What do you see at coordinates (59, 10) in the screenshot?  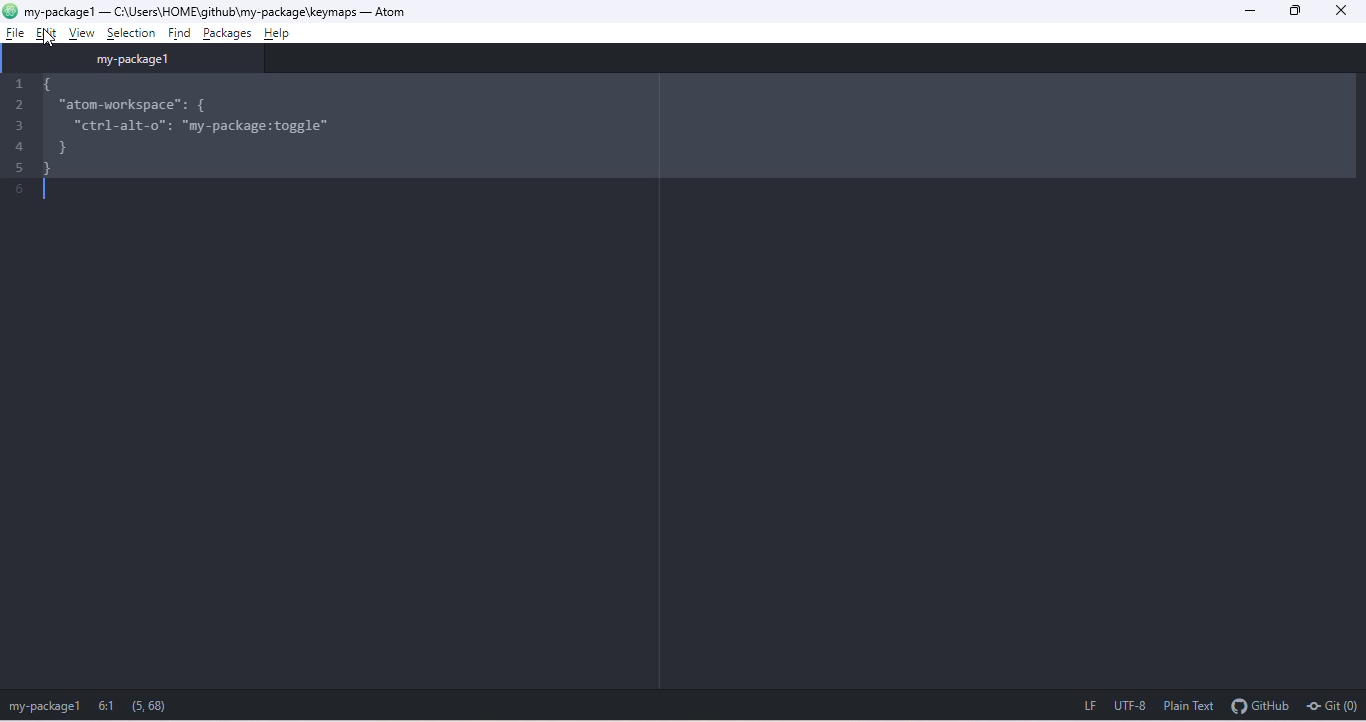 I see `my-package1` at bounding box center [59, 10].